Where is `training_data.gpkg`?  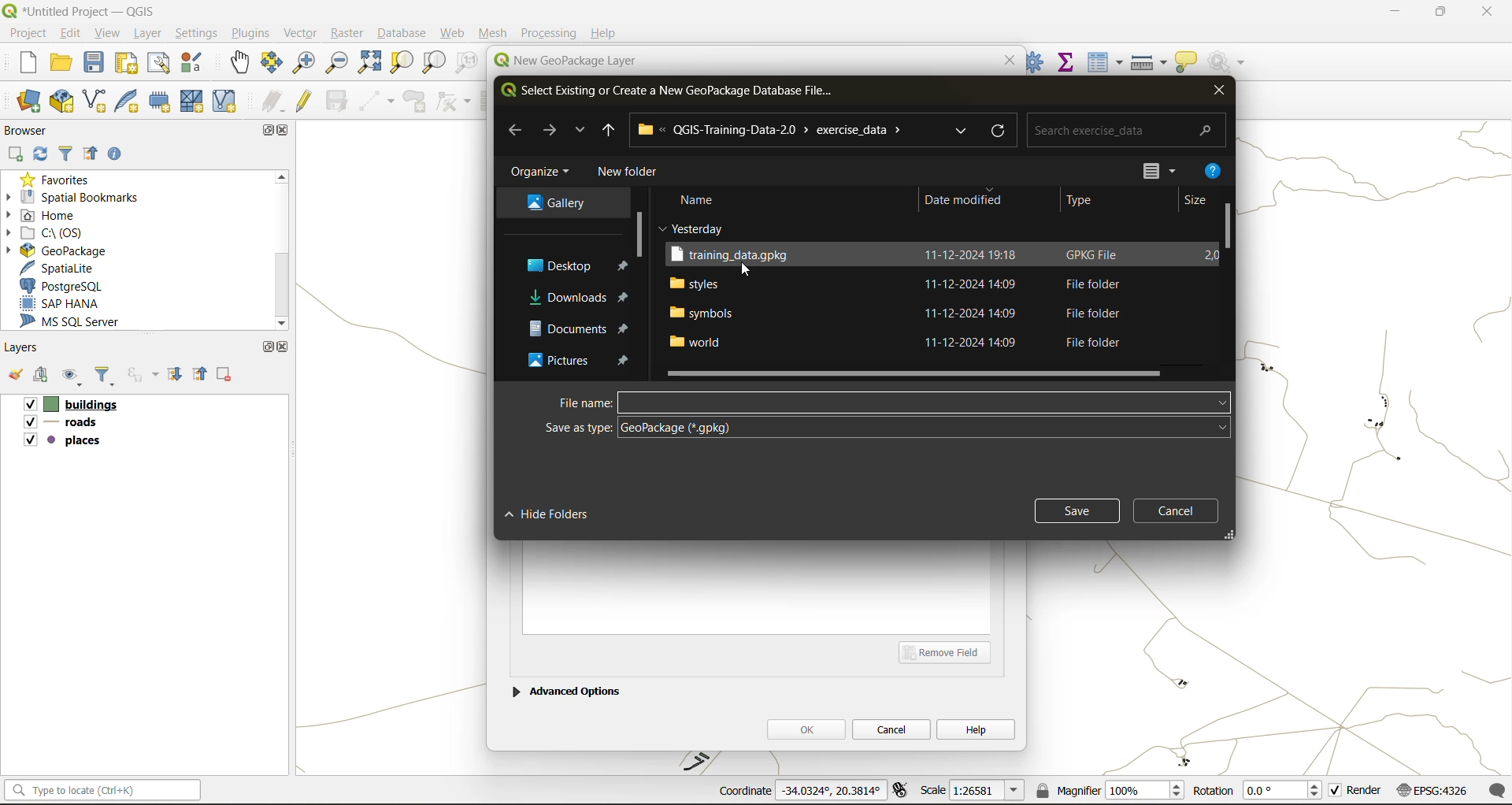
training_data.gpkg is located at coordinates (736, 255).